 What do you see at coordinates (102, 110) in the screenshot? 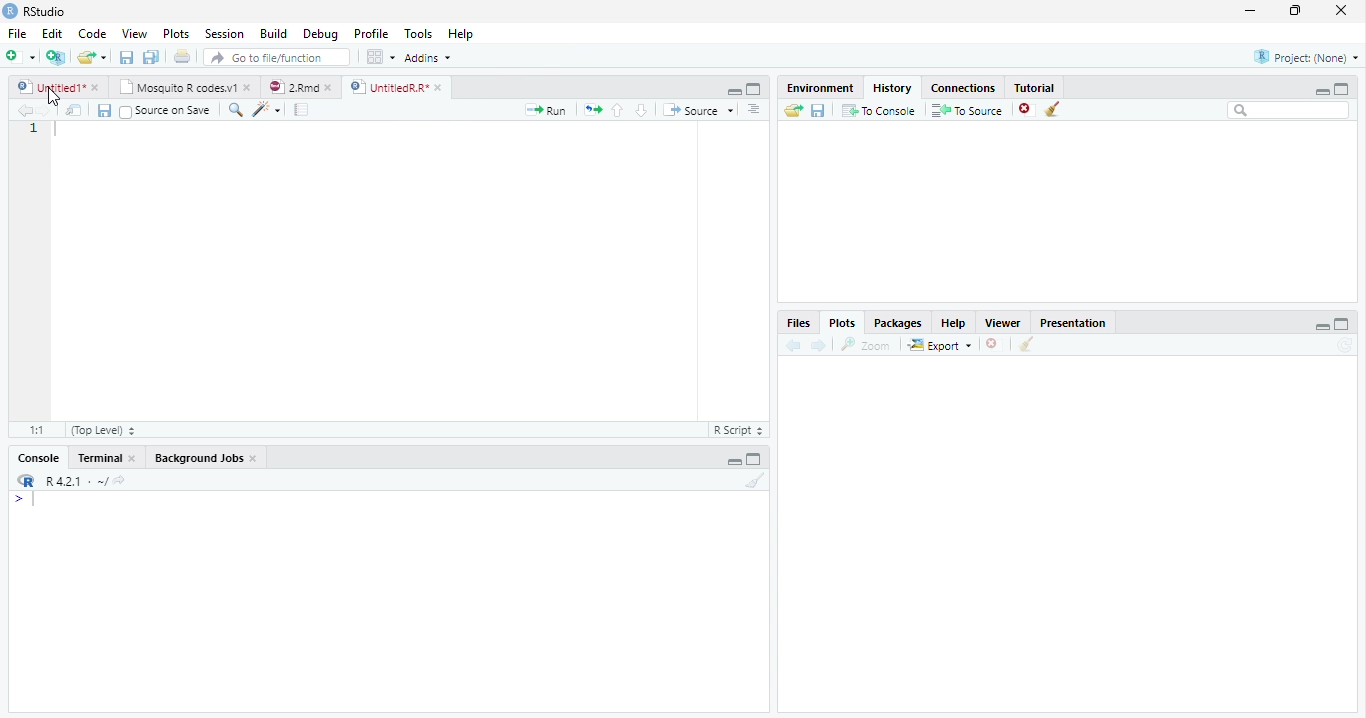
I see `Save` at bounding box center [102, 110].